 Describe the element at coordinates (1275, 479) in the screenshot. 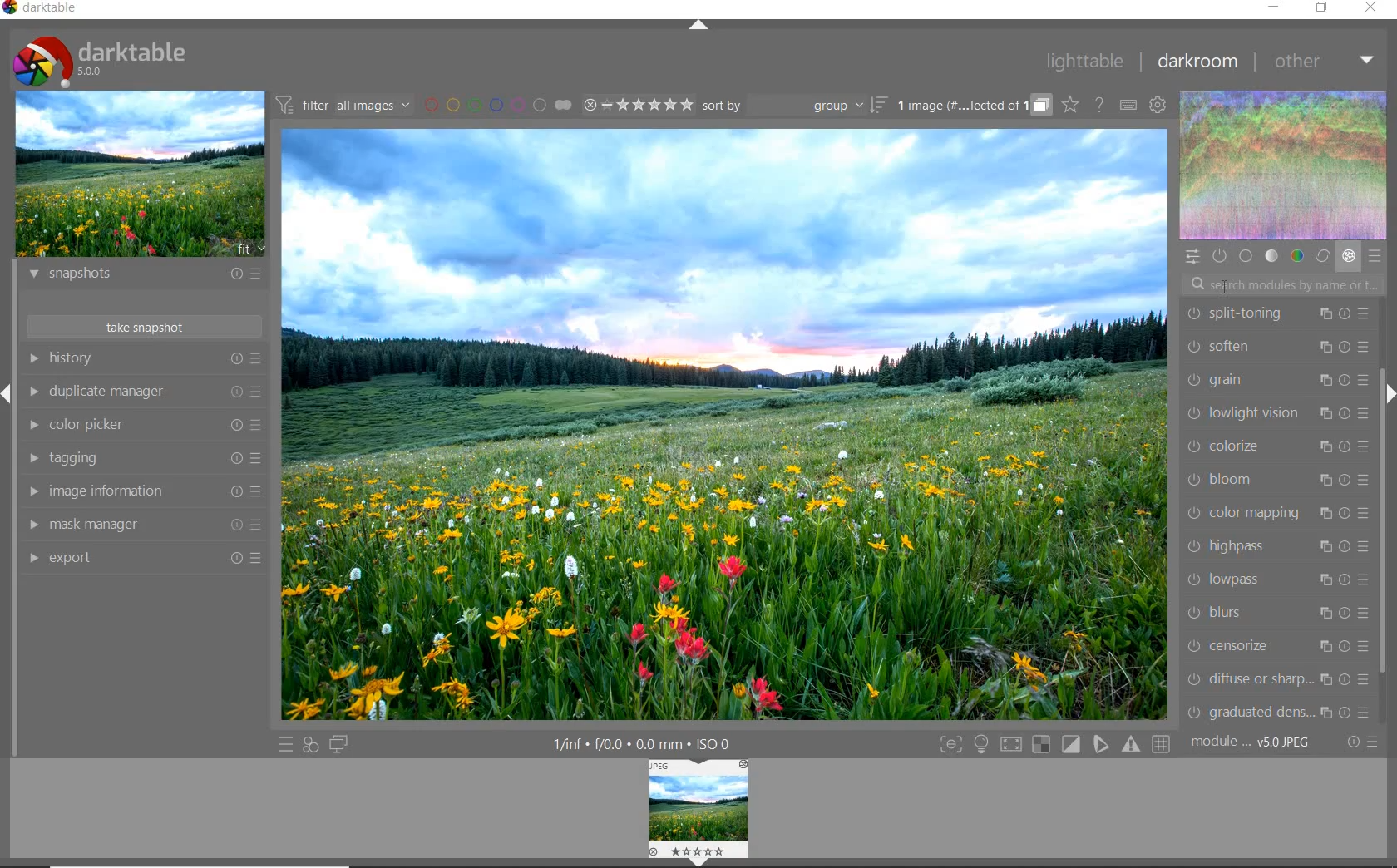

I see `bloom` at that location.